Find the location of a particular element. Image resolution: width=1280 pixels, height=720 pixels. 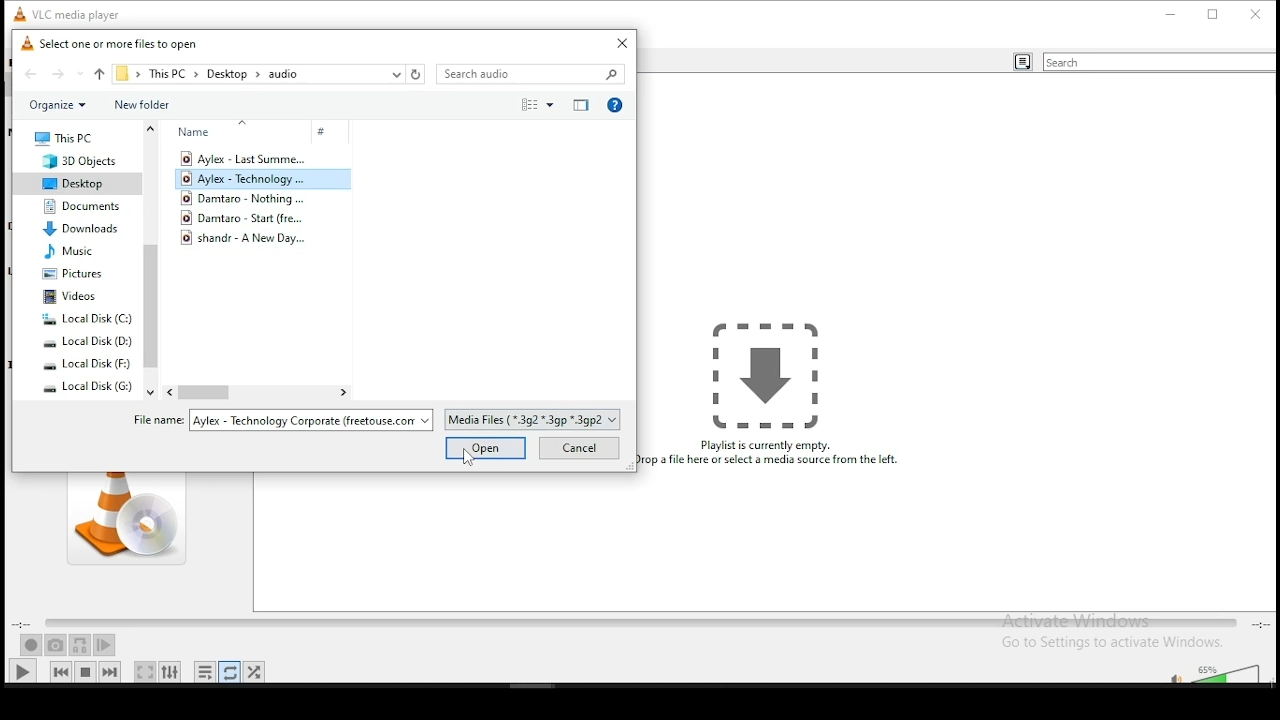

name is located at coordinates (227, 131).